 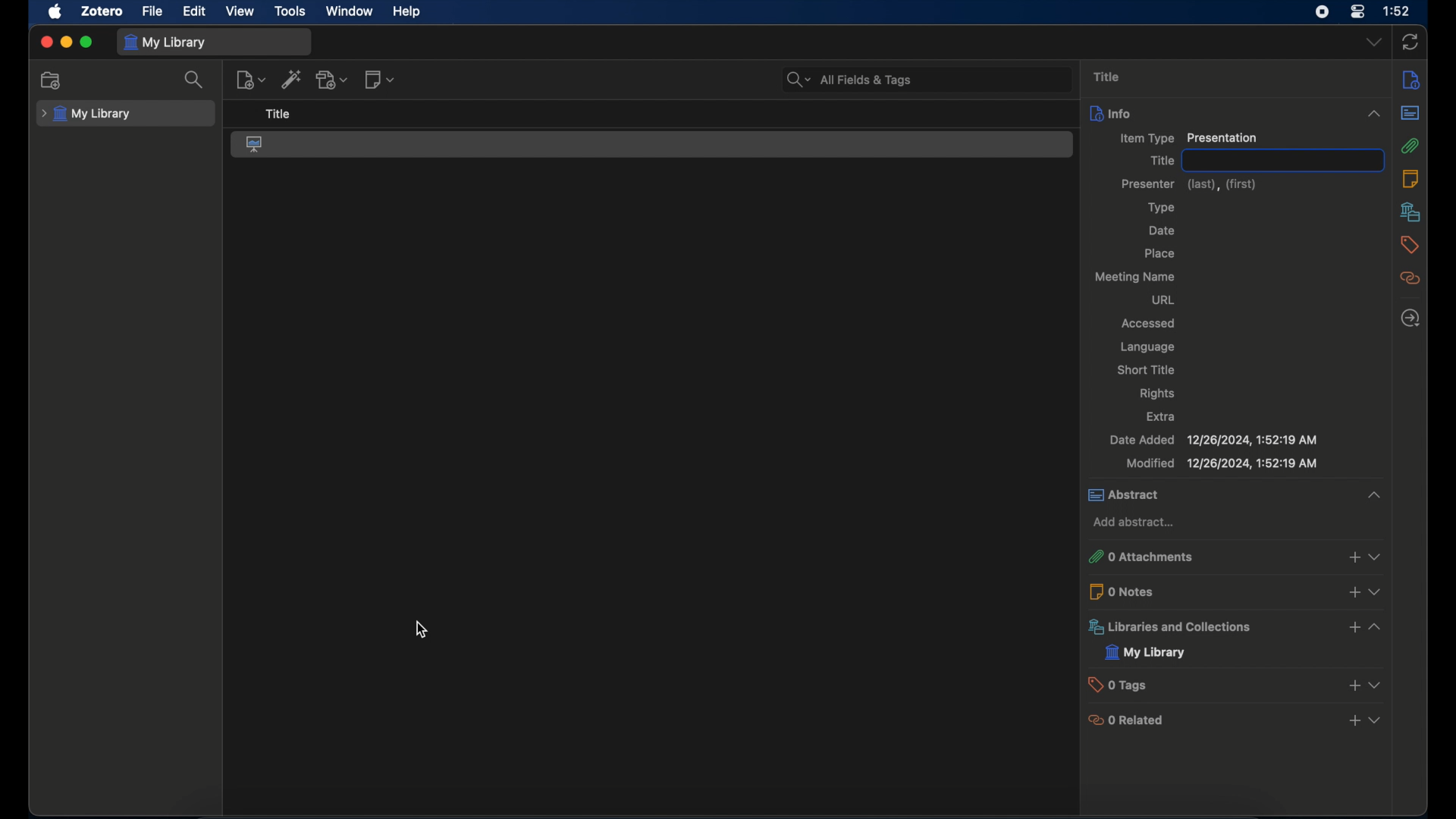 I want to click on close, so click(x=46, y=42).